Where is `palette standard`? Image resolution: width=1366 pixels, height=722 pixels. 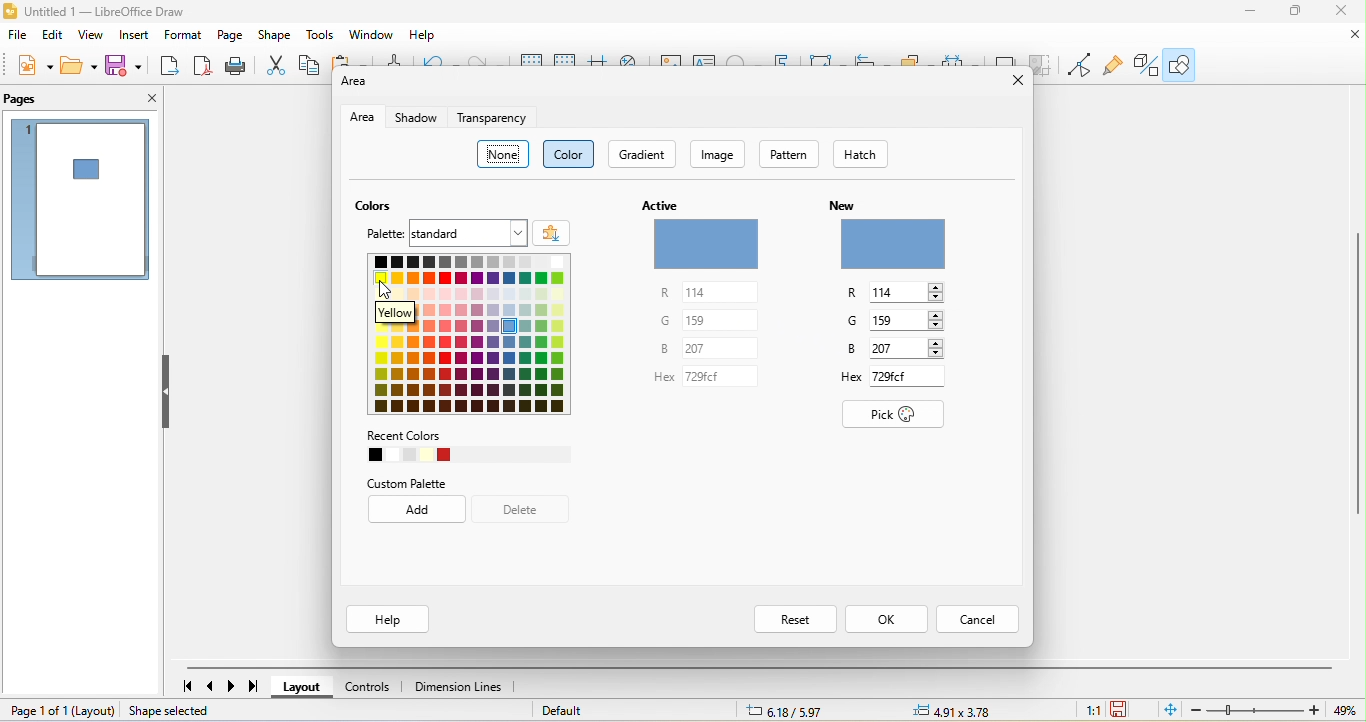 palette standard is located at coordinates (446, 232).